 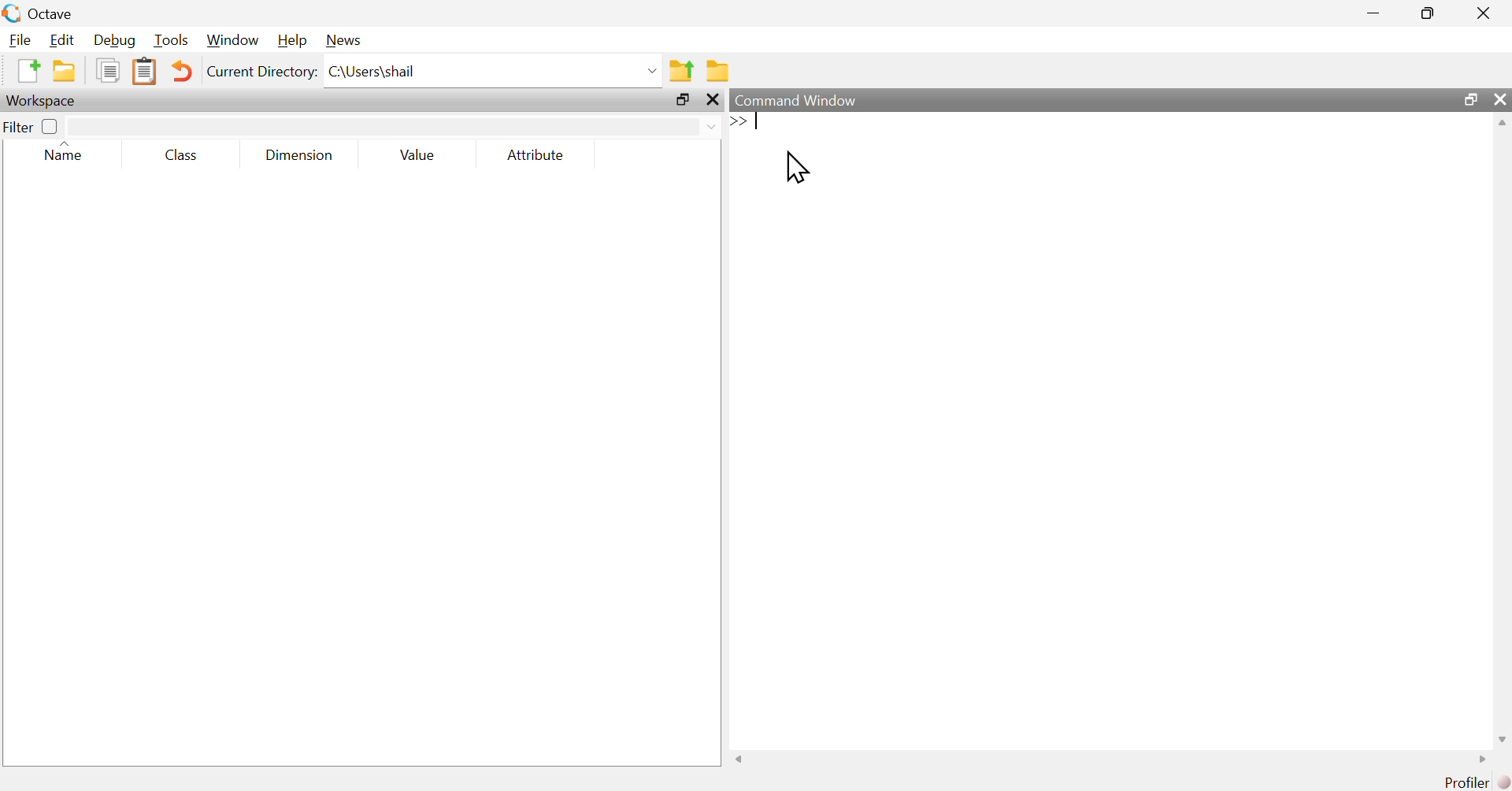 I want to click on File, so click(x=17, y=39).